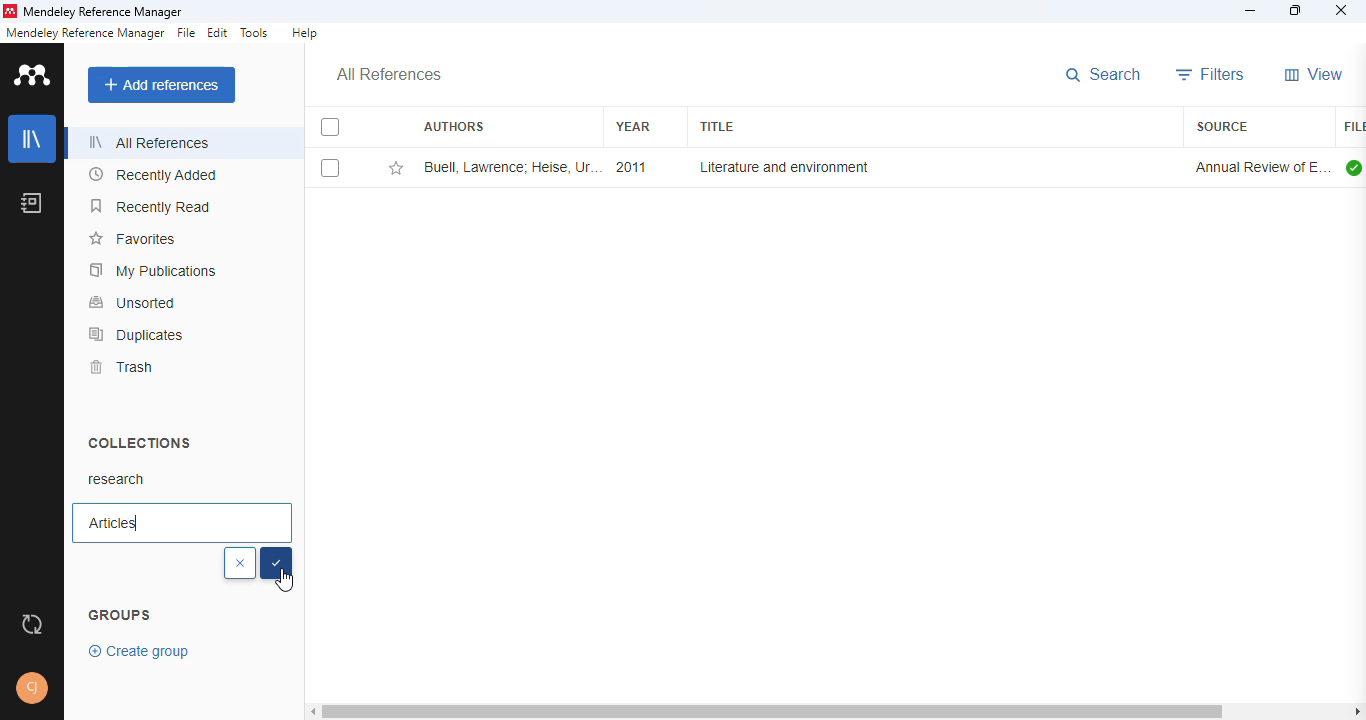 This screenshot has width=1366, height=720. What do you see at coordinates (122, 367) in the screenshot?
I see `trash` at bounding box center [122, 367].